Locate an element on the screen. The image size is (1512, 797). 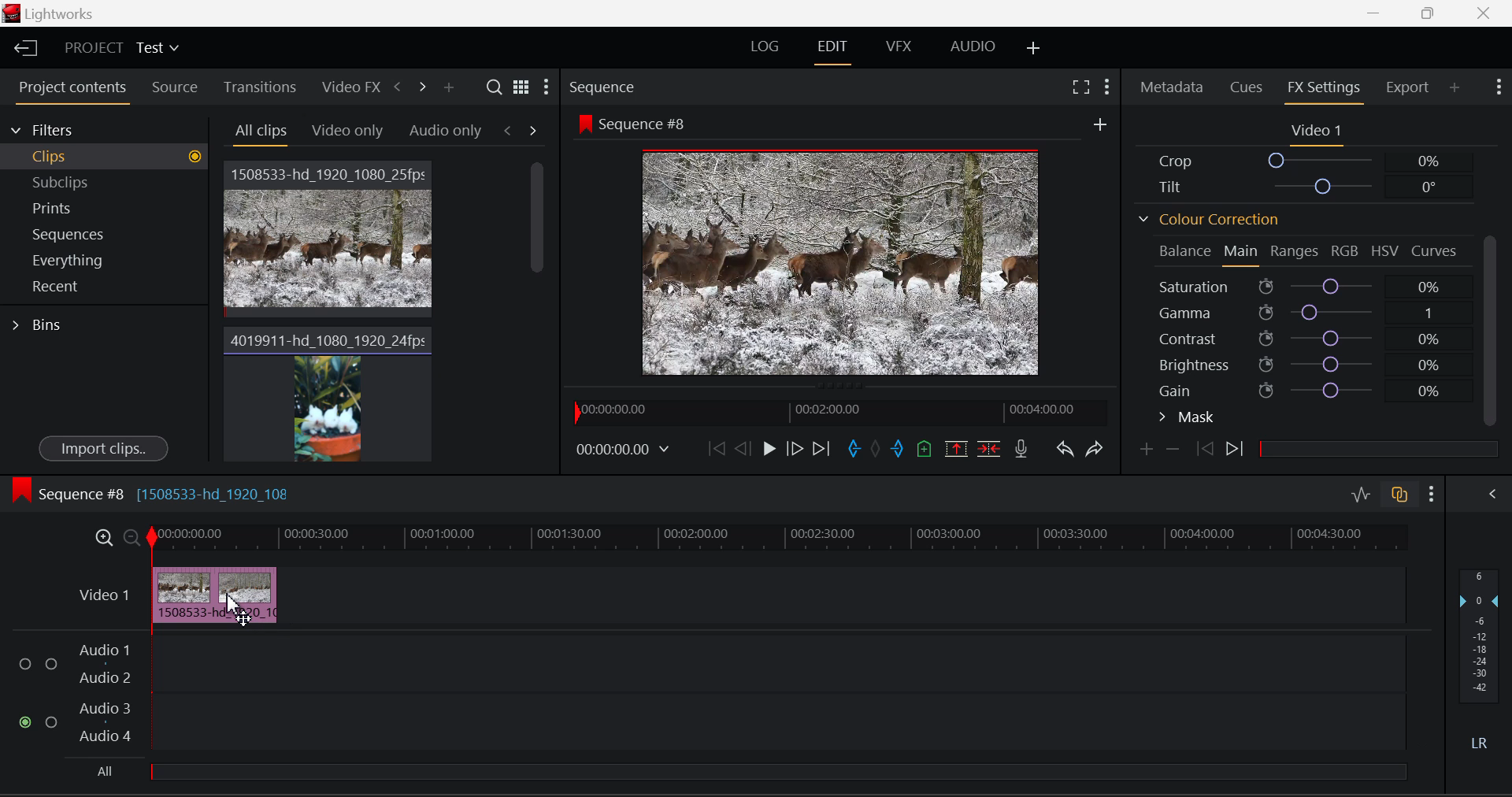
Audio Level Editing is located at coordinates (1361, 494).